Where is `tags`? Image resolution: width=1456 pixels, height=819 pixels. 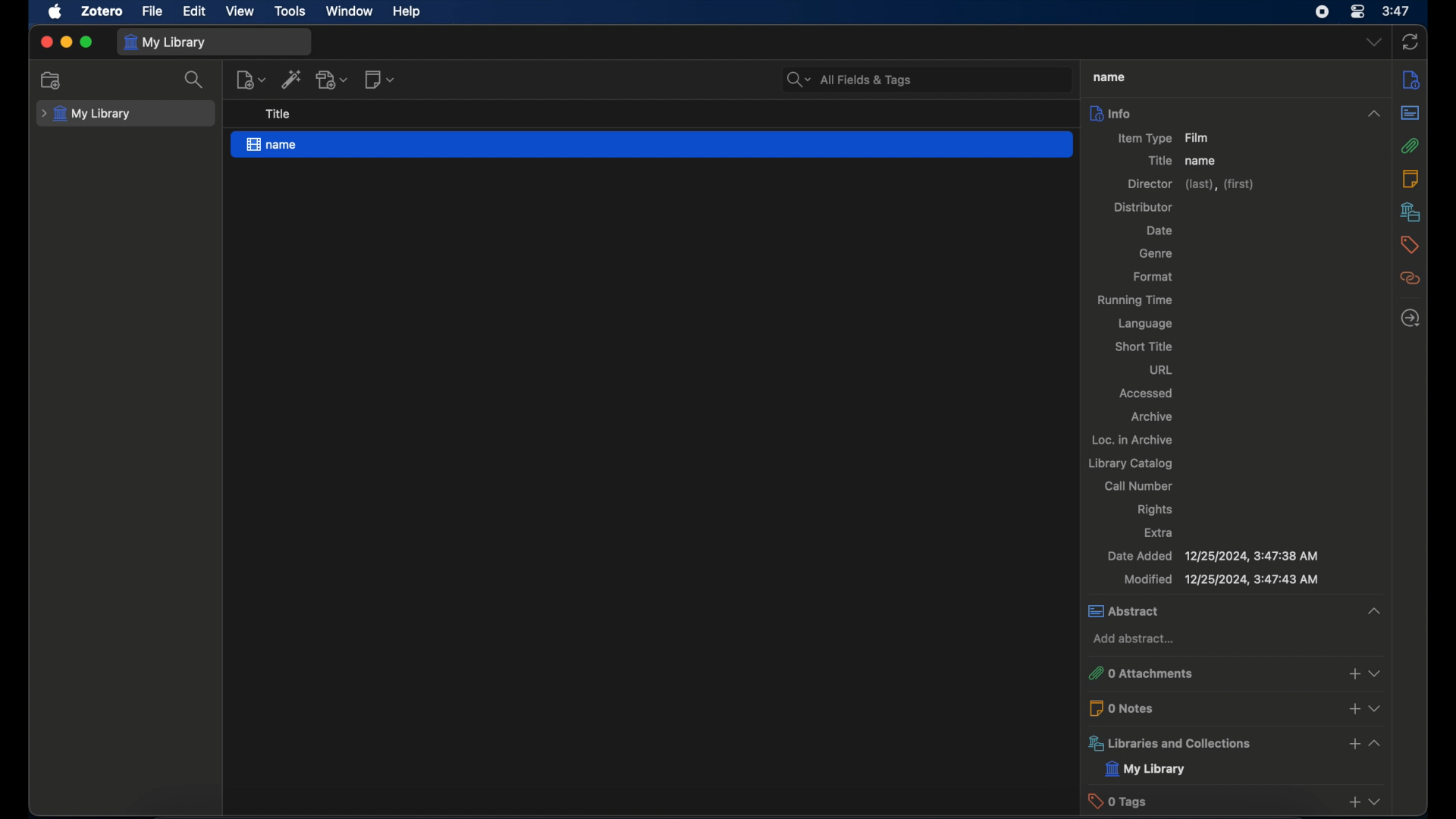
tags is located at coordinates (1410, 245).